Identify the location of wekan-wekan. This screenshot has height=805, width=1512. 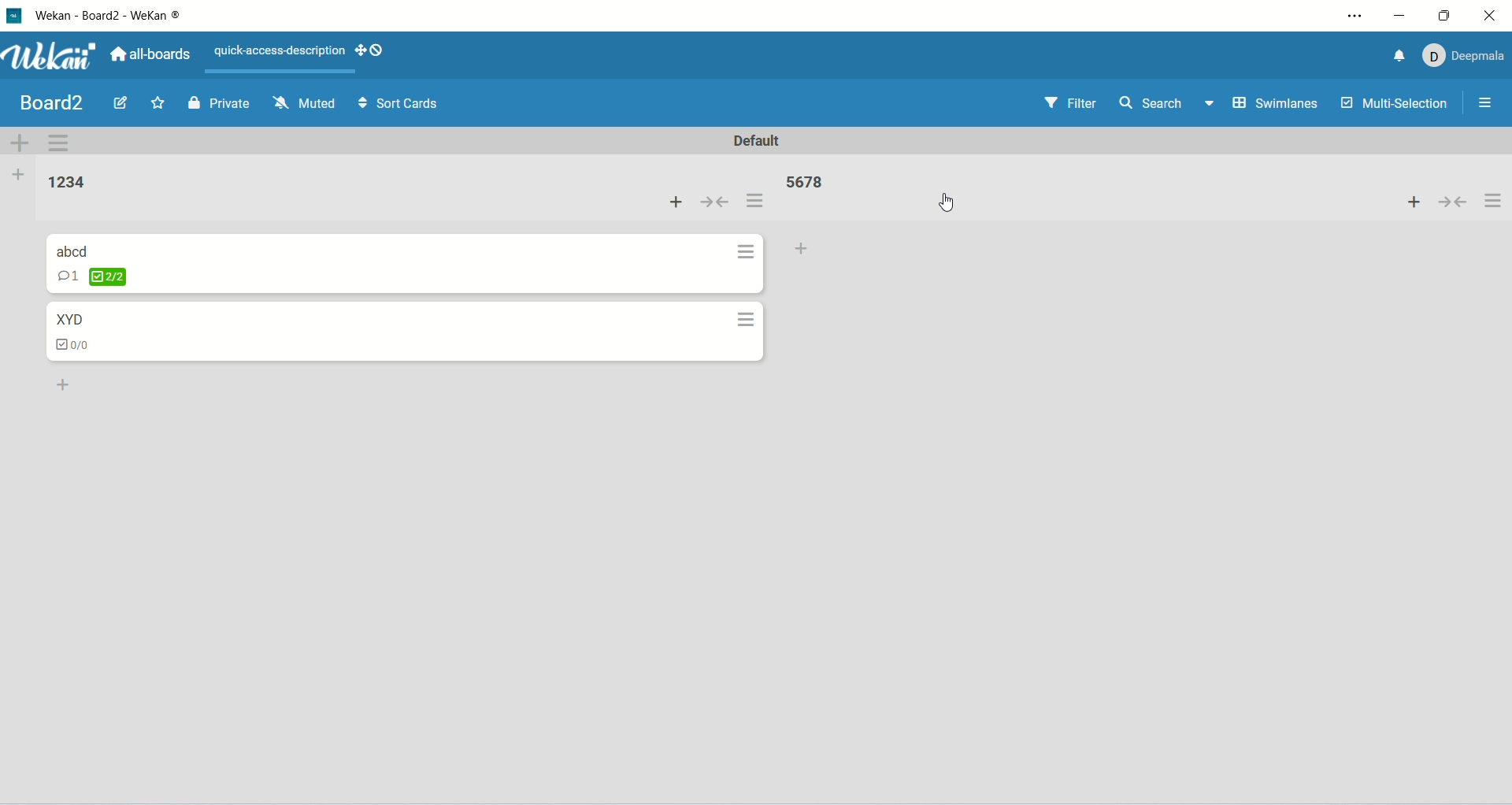
(108, 18).